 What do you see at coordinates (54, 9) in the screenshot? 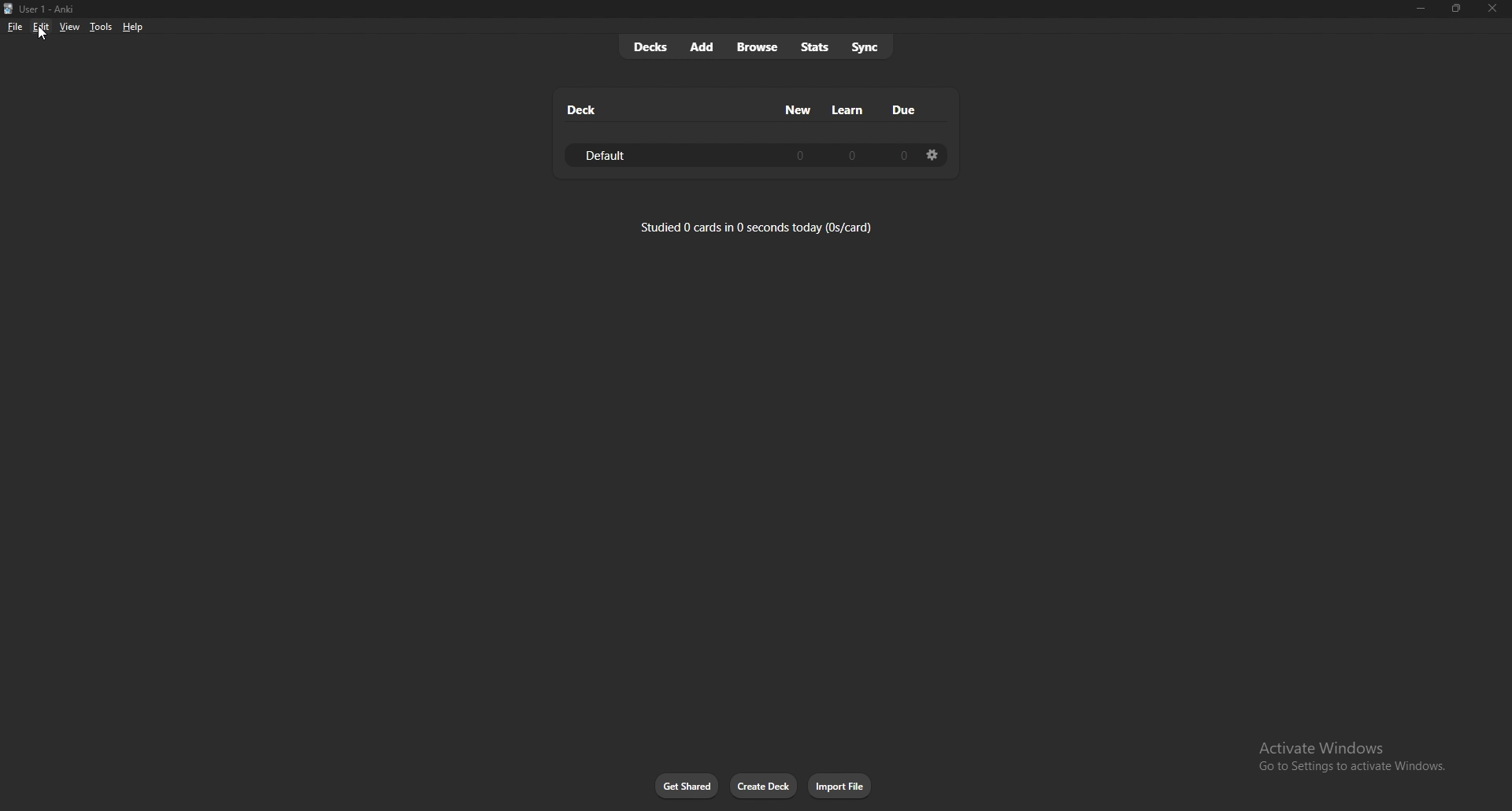
I see `User 1 - Anki` at bounding box center [54, 9].